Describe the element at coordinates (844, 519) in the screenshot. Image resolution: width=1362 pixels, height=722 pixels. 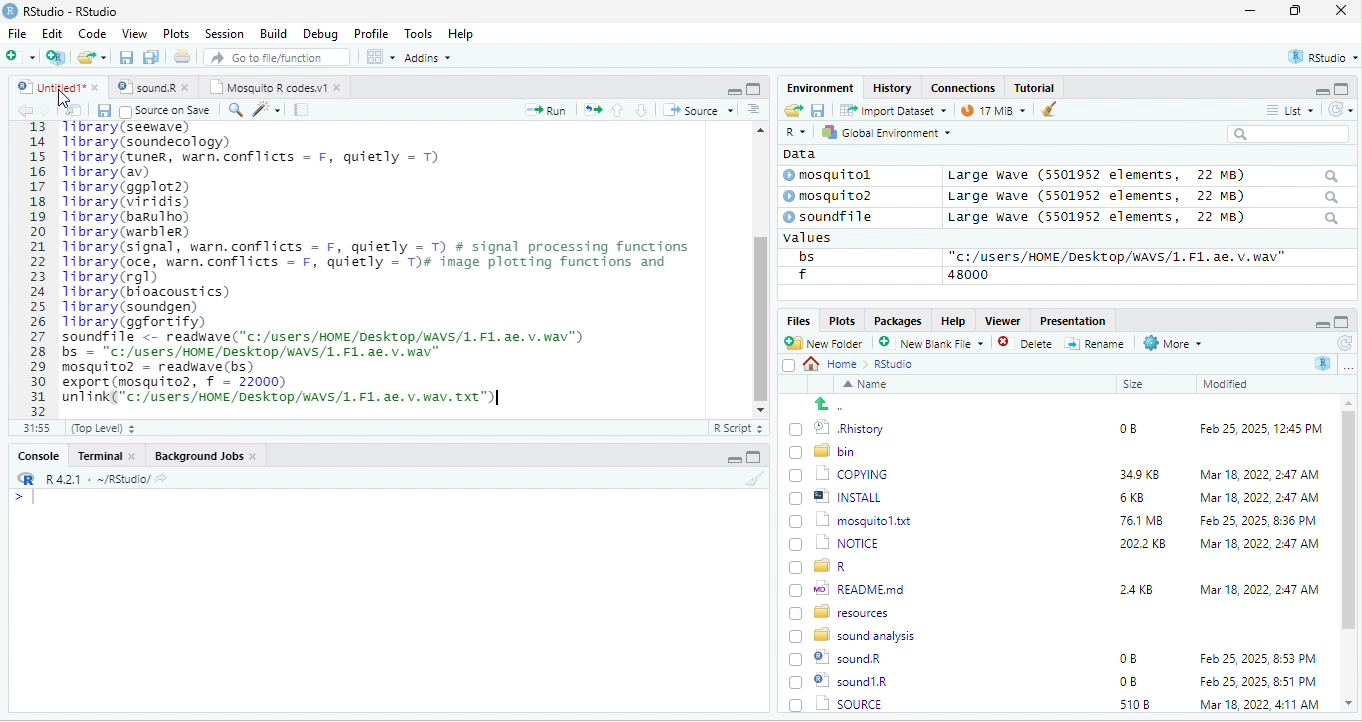
I see `1 mosquitol.txt` at that location.